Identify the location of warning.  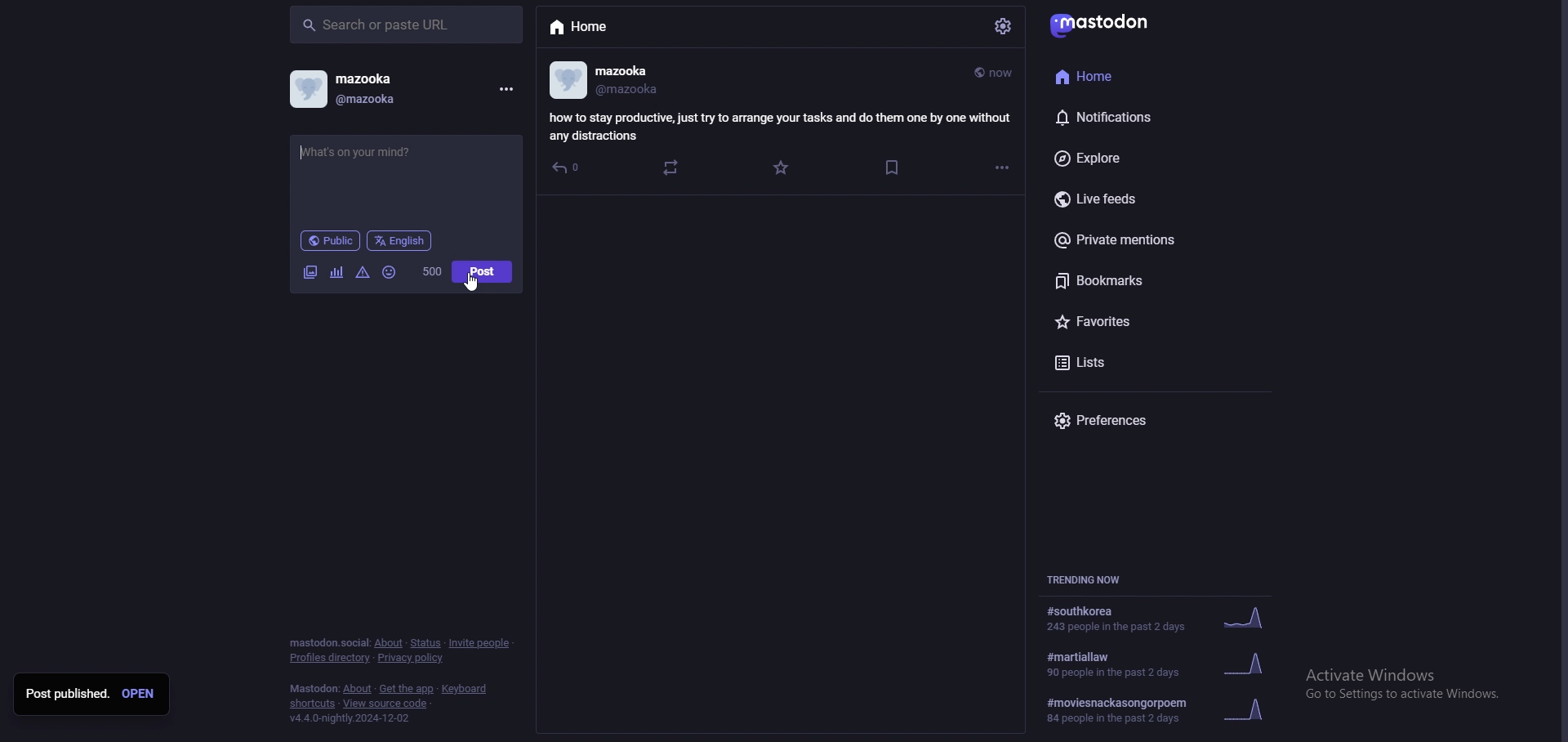
(363, 273).